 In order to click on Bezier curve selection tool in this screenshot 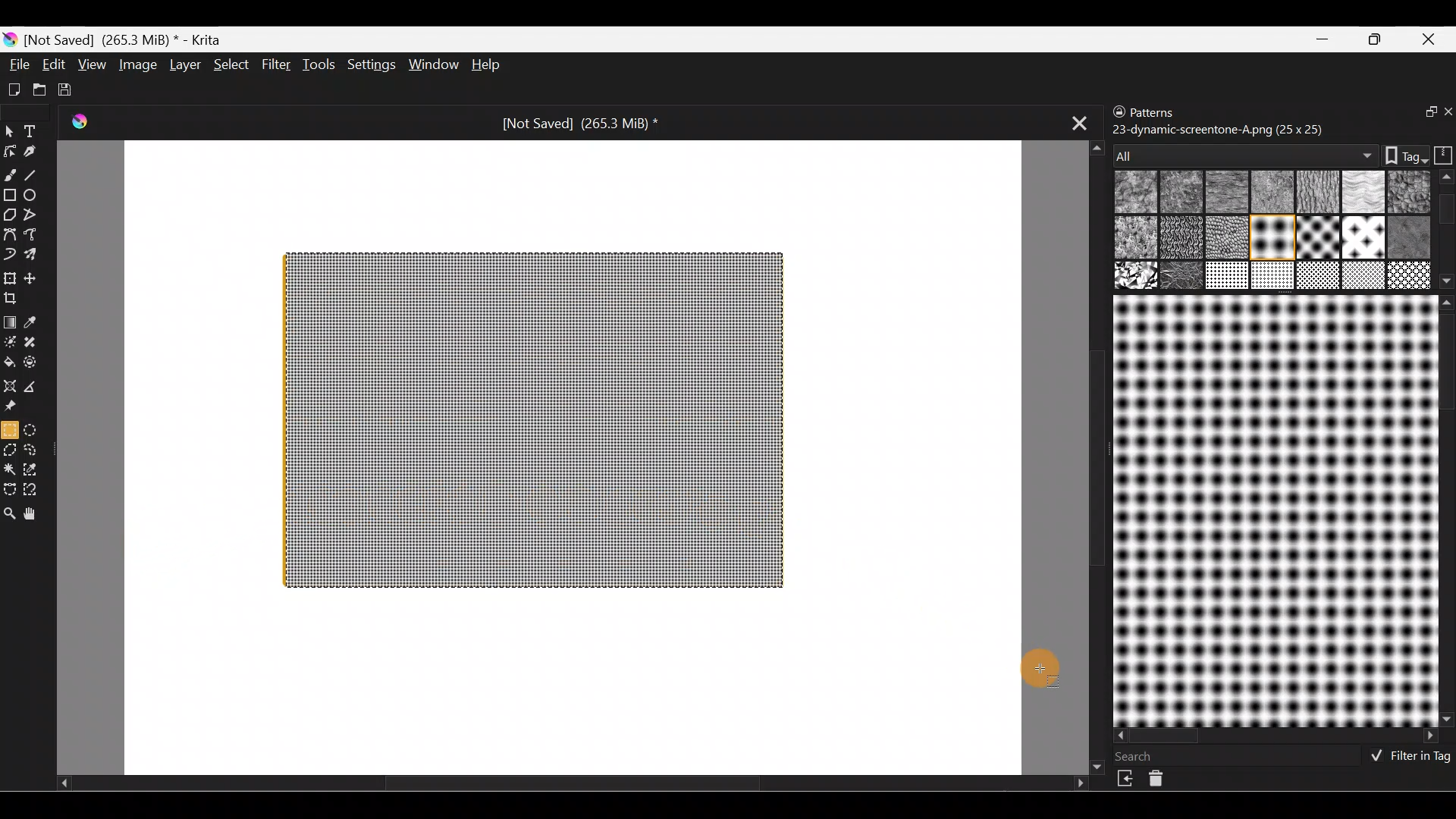, I will do `click(11, 489)`.